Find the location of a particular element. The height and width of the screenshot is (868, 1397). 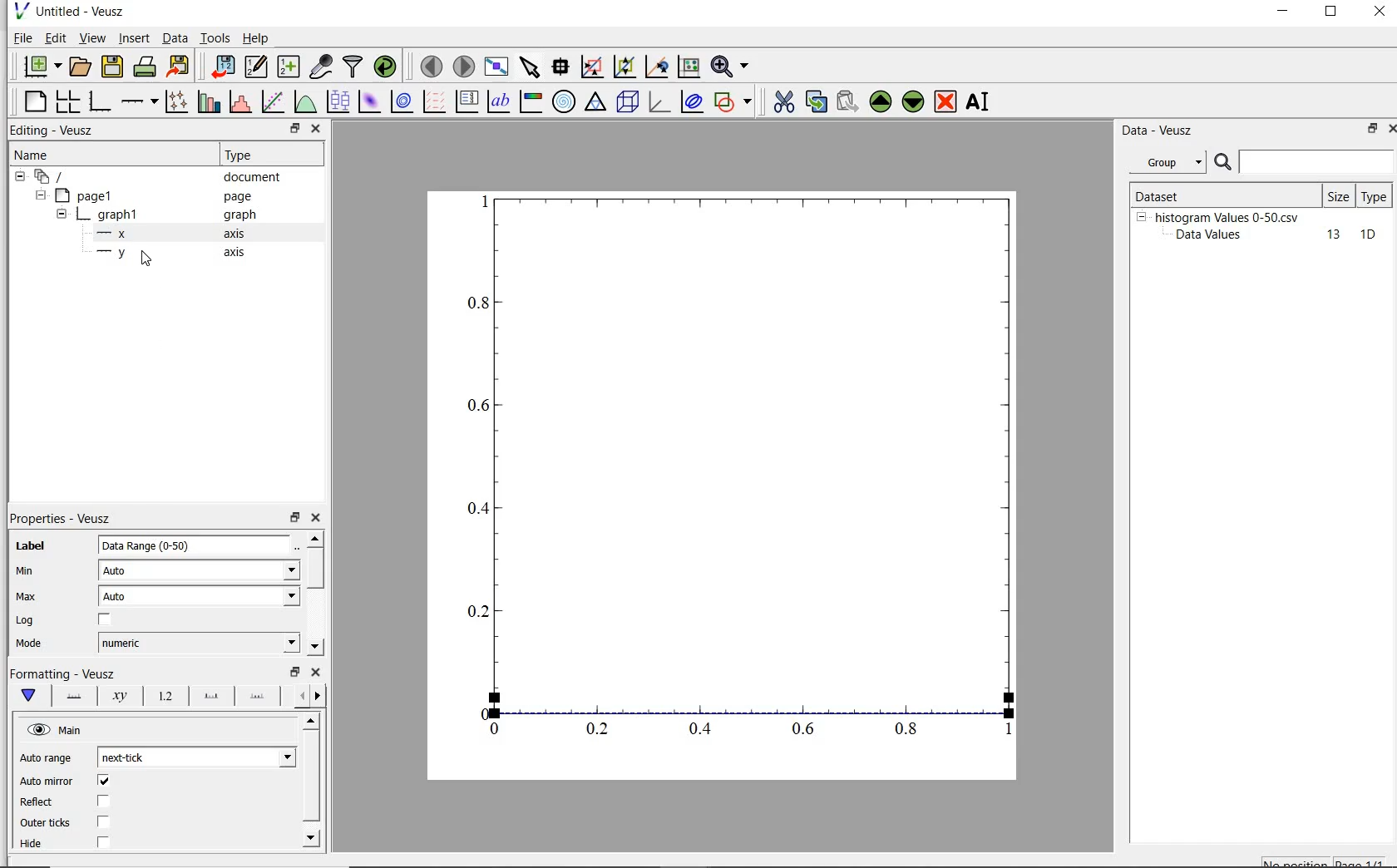

import data into veusz is located at coordinates (225, 67).